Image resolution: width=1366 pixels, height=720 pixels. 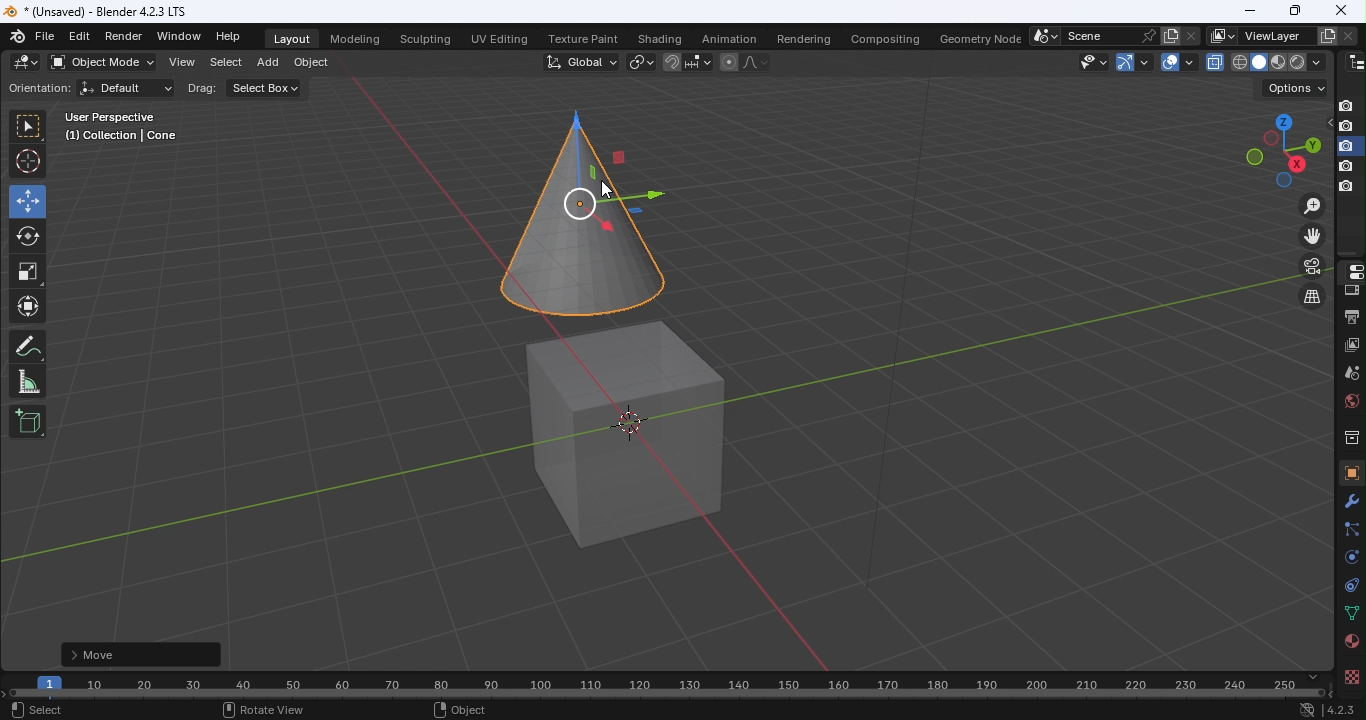 I want to click on viewpoint shader: Material view, so click(x=1277, y=61).